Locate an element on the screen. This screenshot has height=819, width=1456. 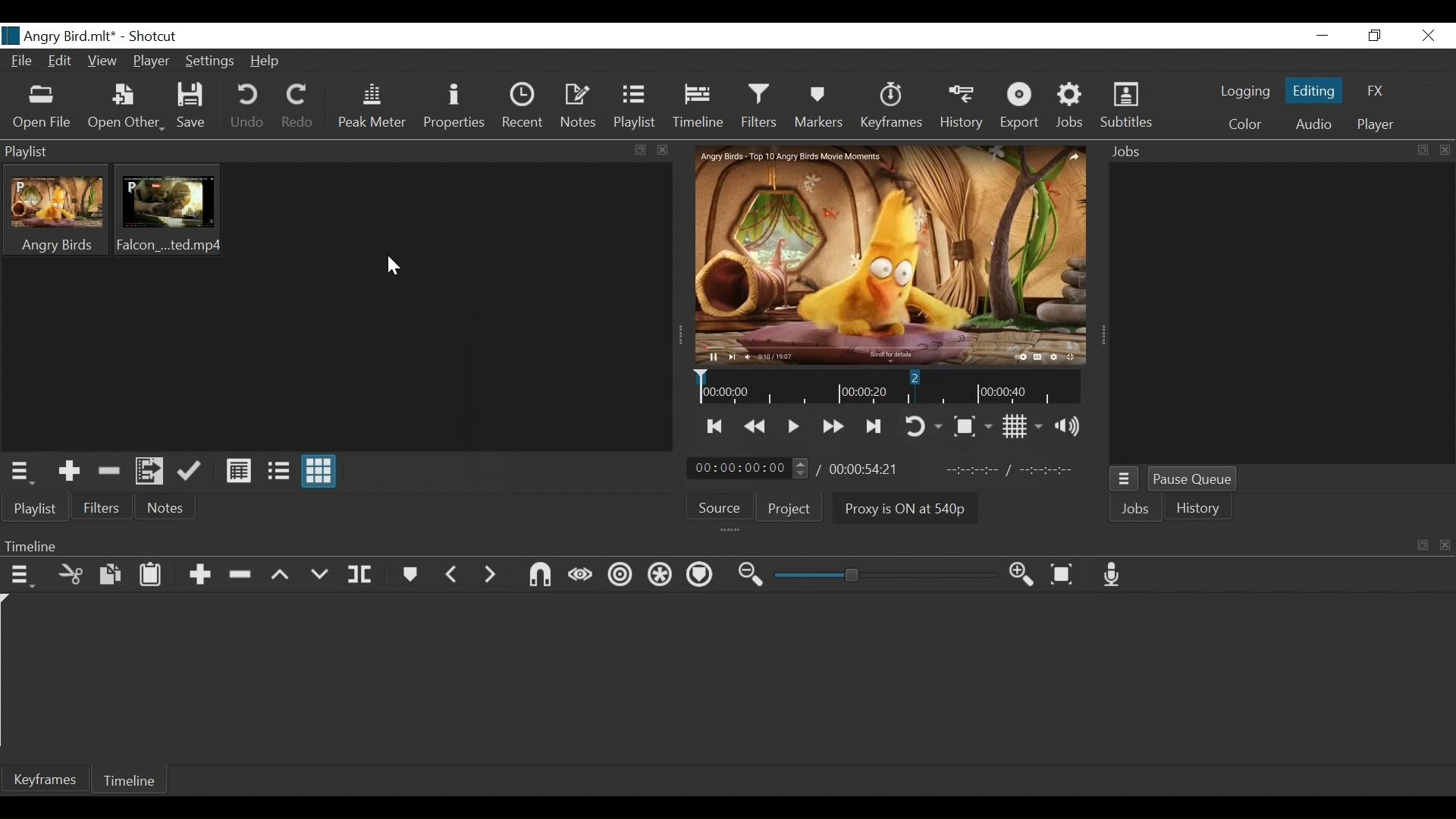
View as Files is located at coordinates (236, 471).